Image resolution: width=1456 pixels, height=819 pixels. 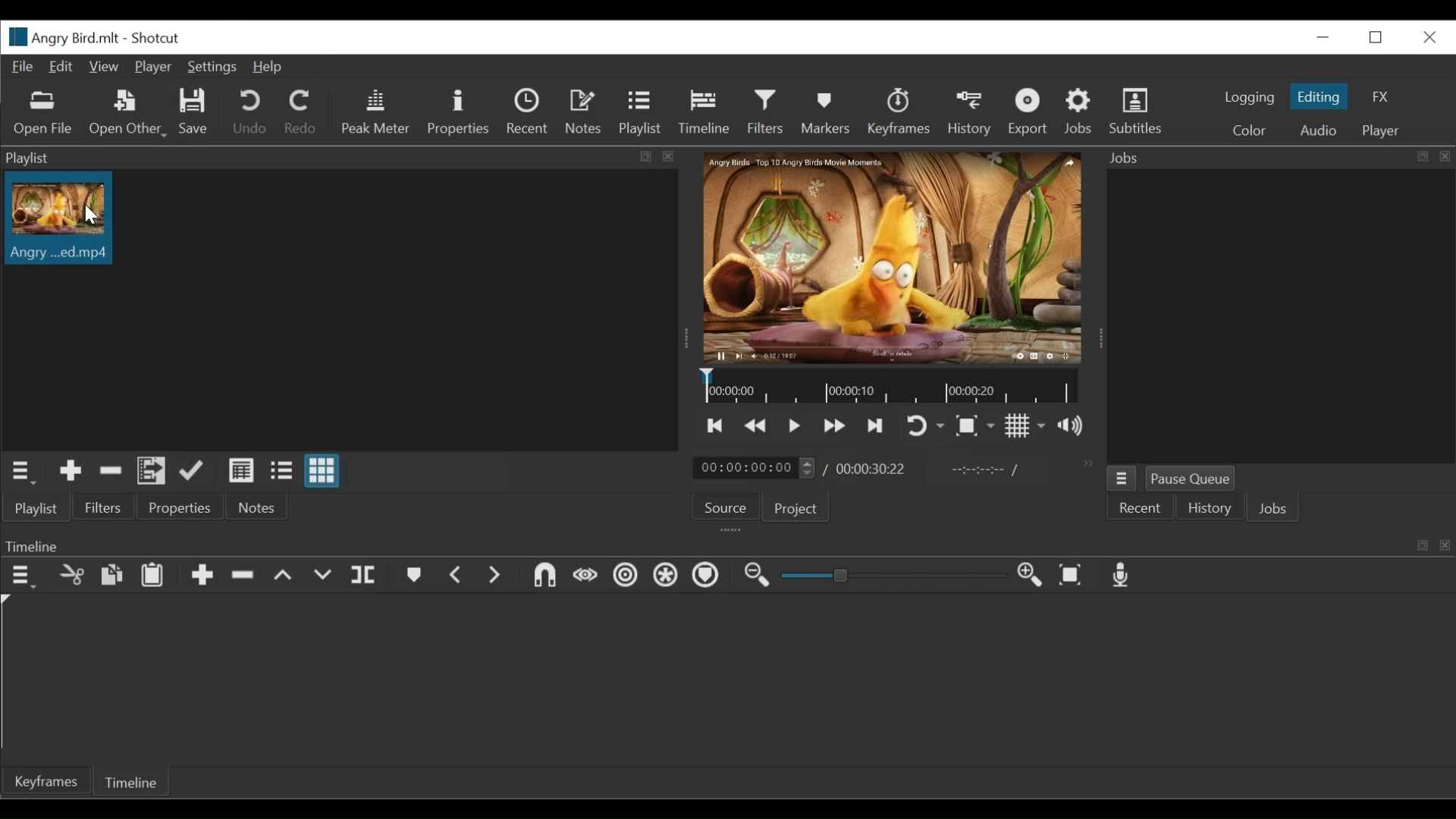 I want to click on Markers, so click(x=826, y=110).